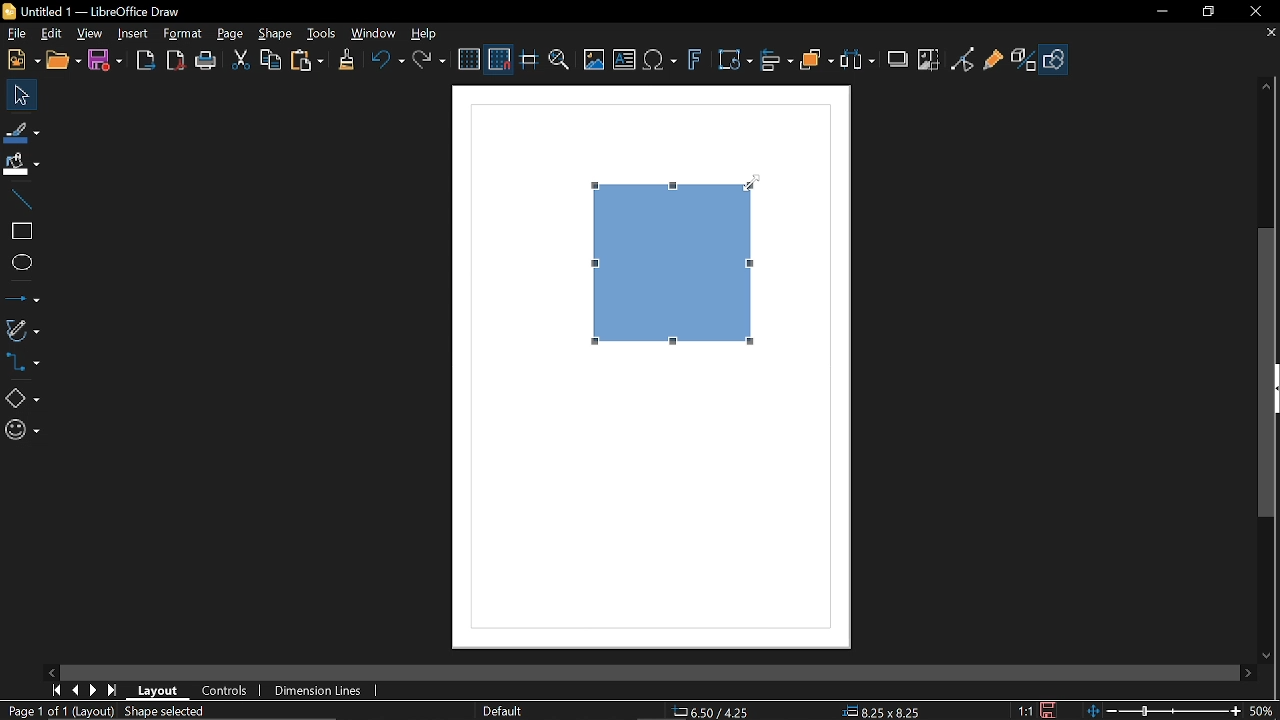 The width and height of the screenshot is (1280, 720). What do you see at coordinates (56, 692) in the screenshot?
I see `First page` at bounding box center [56, 692].